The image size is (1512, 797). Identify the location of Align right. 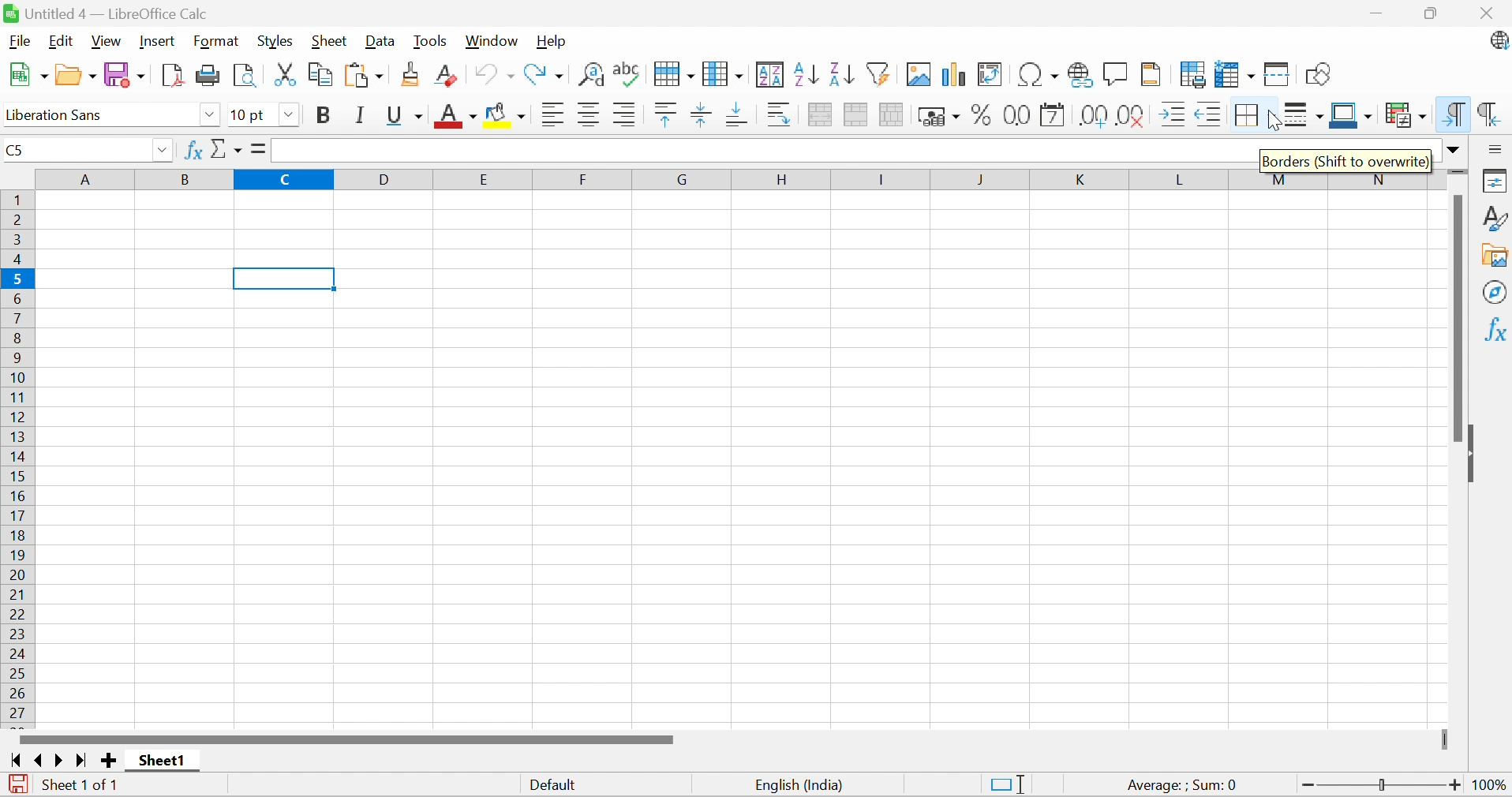
(625, 116).